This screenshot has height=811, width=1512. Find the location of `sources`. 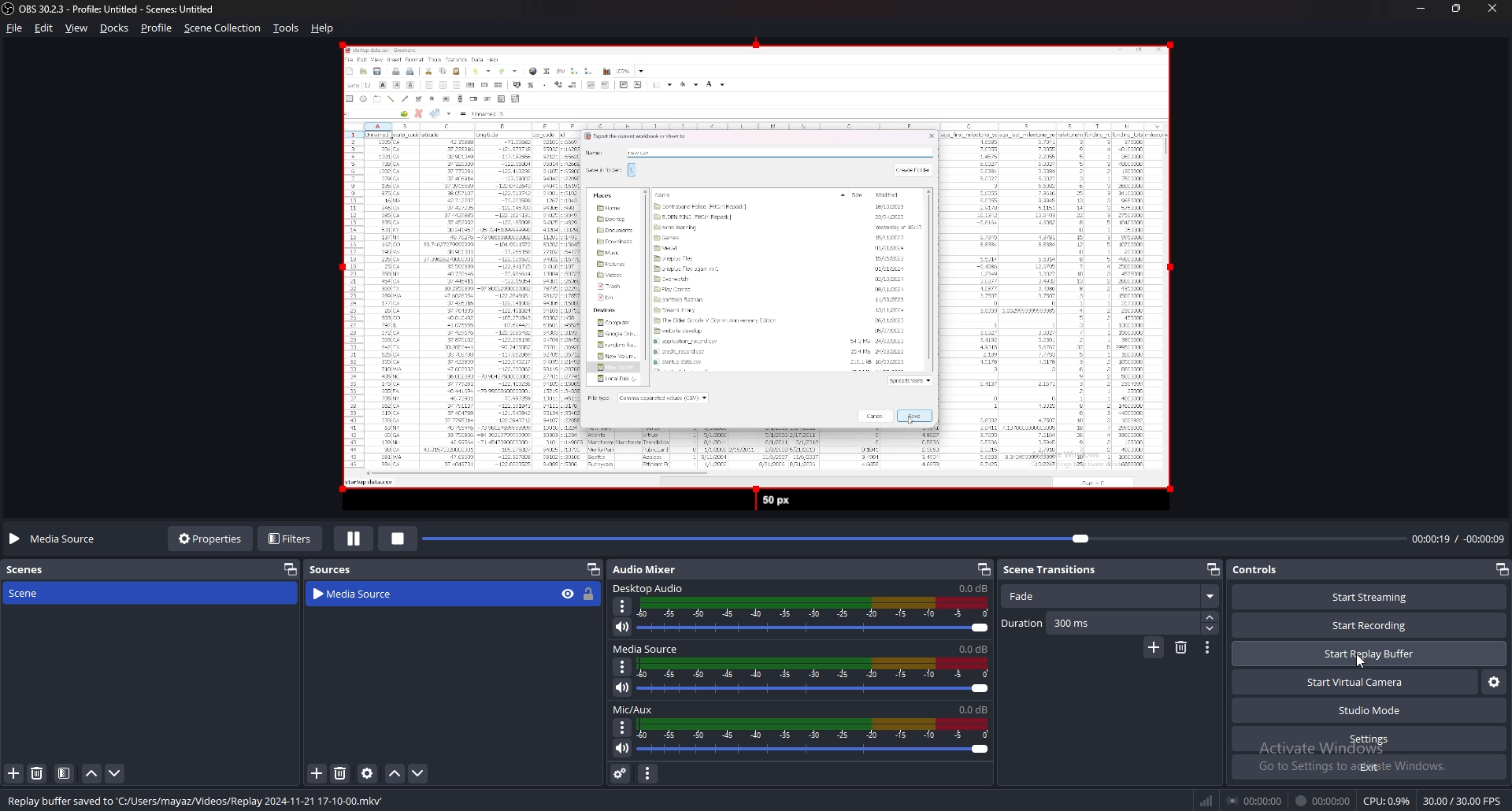

sources is located at coordinates (336, 568).